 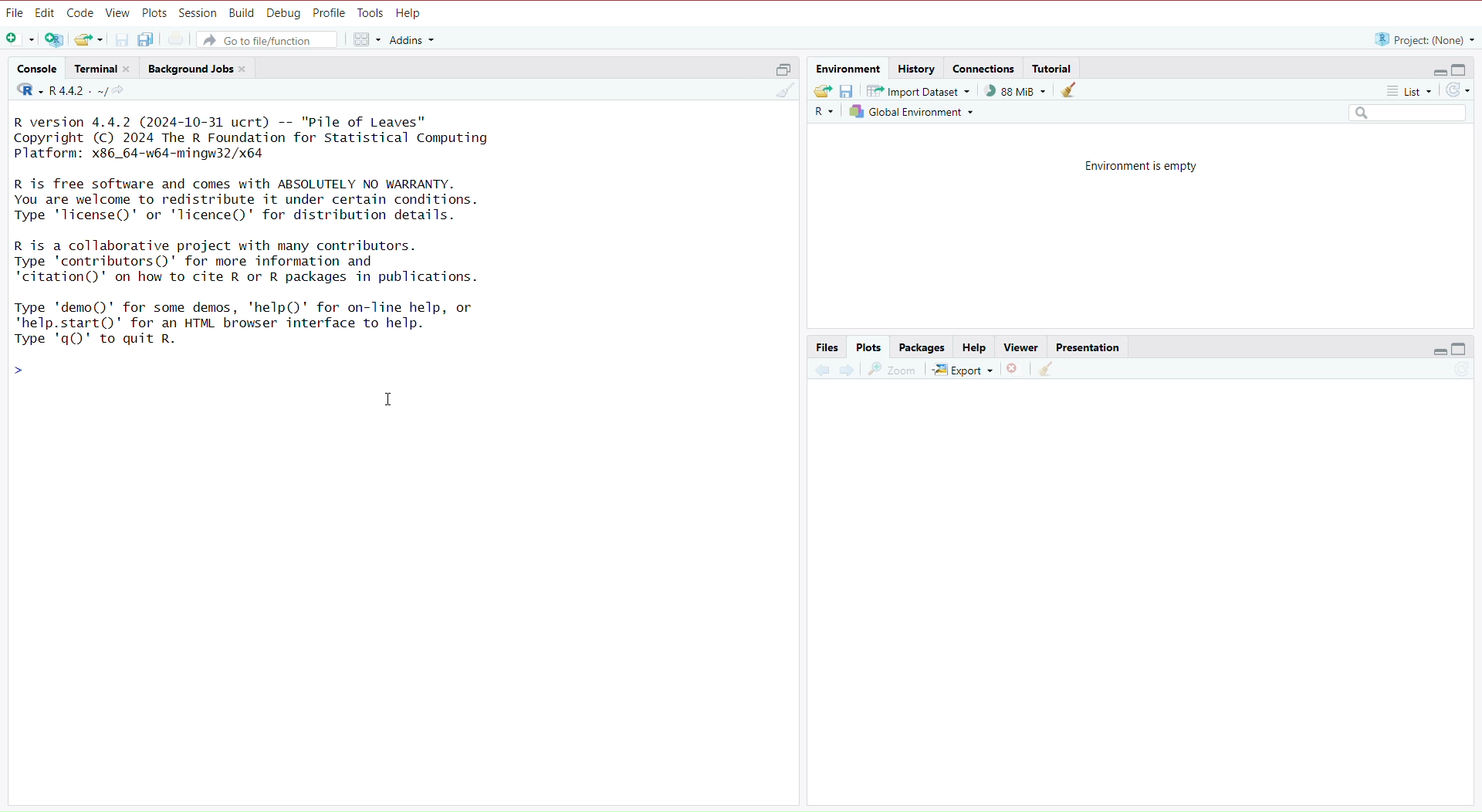 What do you see at coordinates (923, 90) in the screenshot?
I see `import dataset` at bounding box center [923, 90].